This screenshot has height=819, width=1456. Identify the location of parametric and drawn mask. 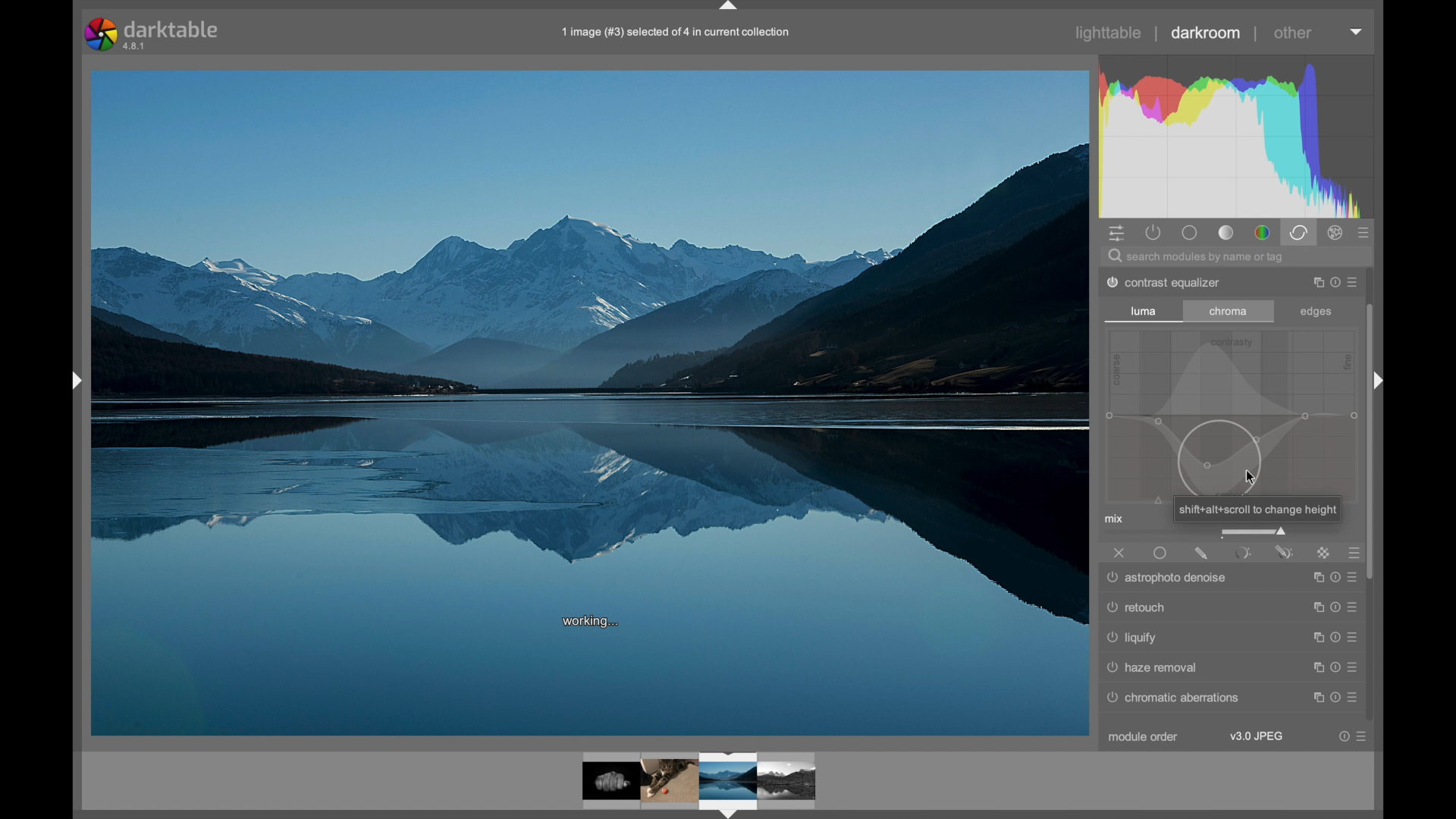
(1284, 552).